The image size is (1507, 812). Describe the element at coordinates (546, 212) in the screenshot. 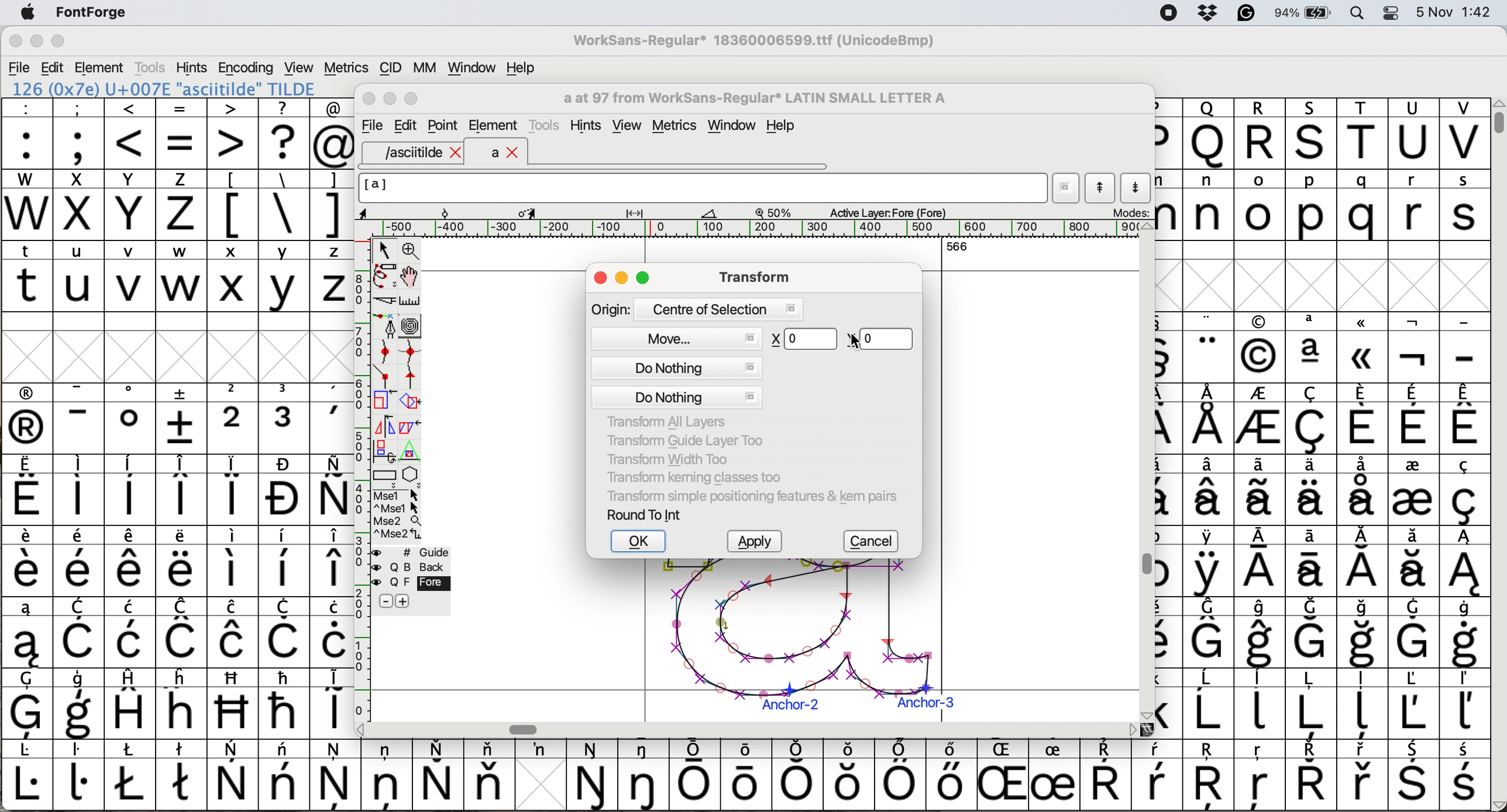

I see `glyph details` at that location.